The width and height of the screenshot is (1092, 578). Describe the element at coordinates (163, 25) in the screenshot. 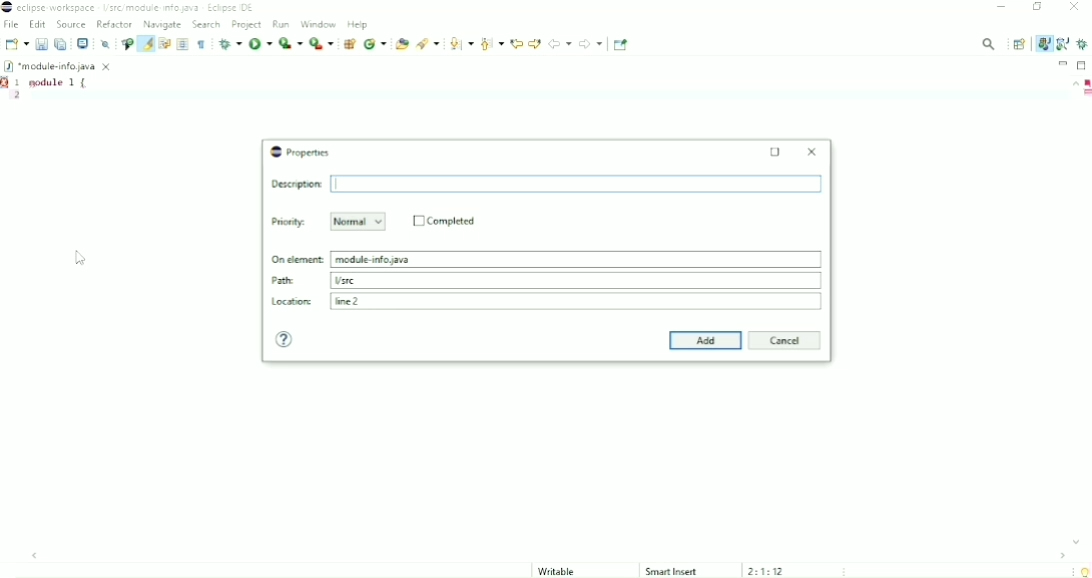

I see `Navigate` at that location.